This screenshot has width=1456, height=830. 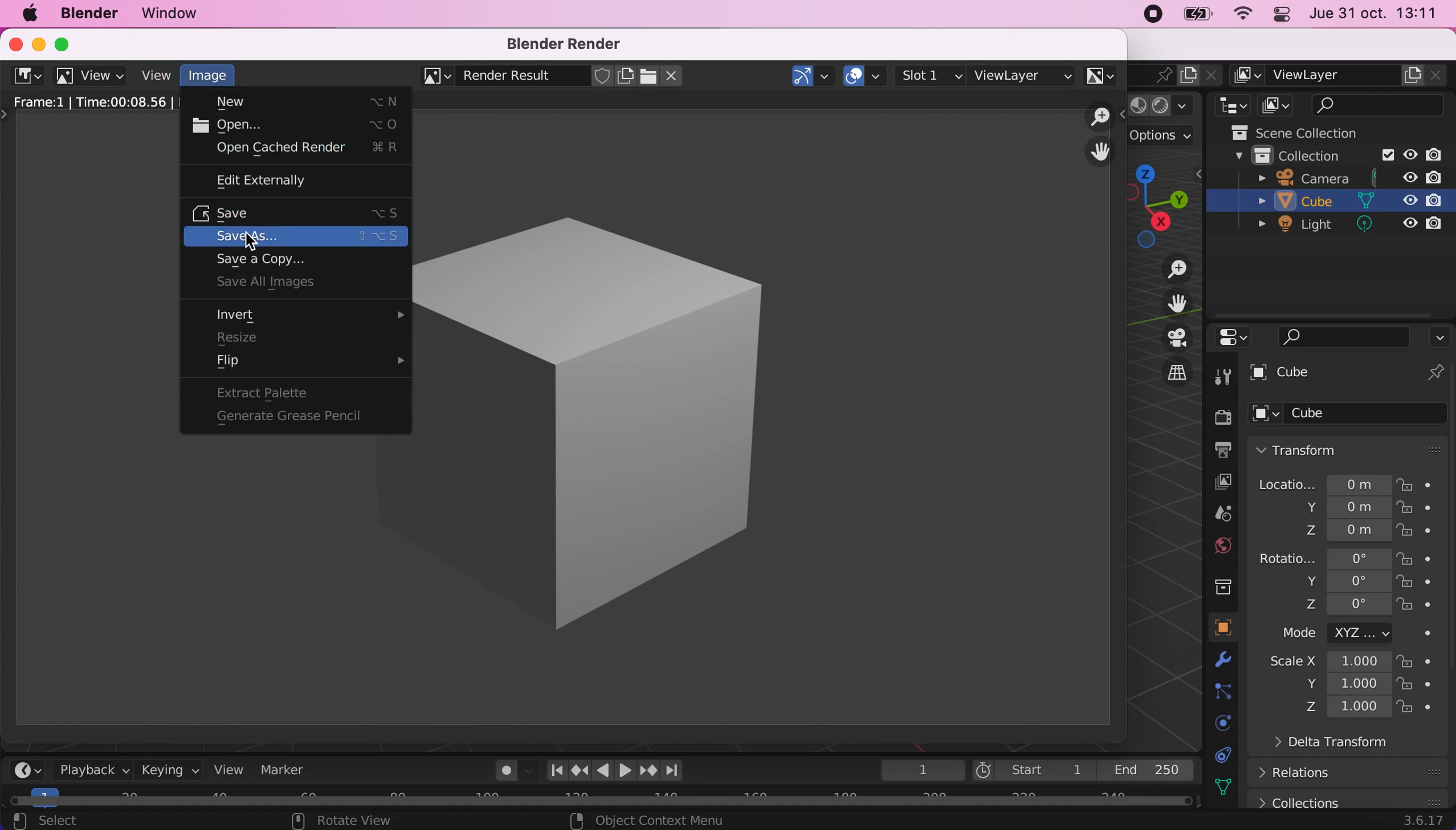 What do you see at coordinates (1439, 337) in the screenshot?
I see `options` at bounding box center [1439, 337].